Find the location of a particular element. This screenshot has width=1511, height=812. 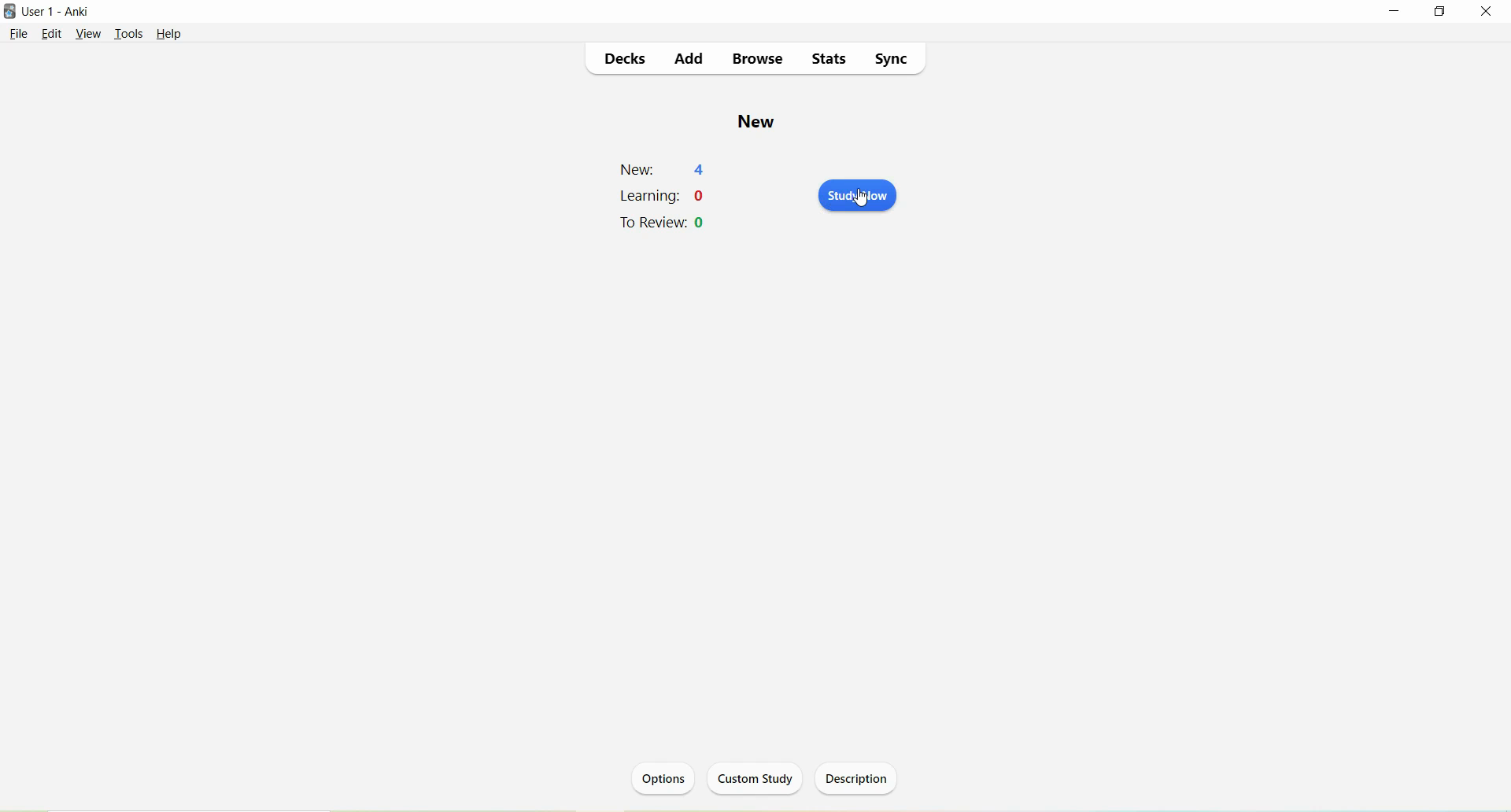

0 is located at coordinates (703, 196).